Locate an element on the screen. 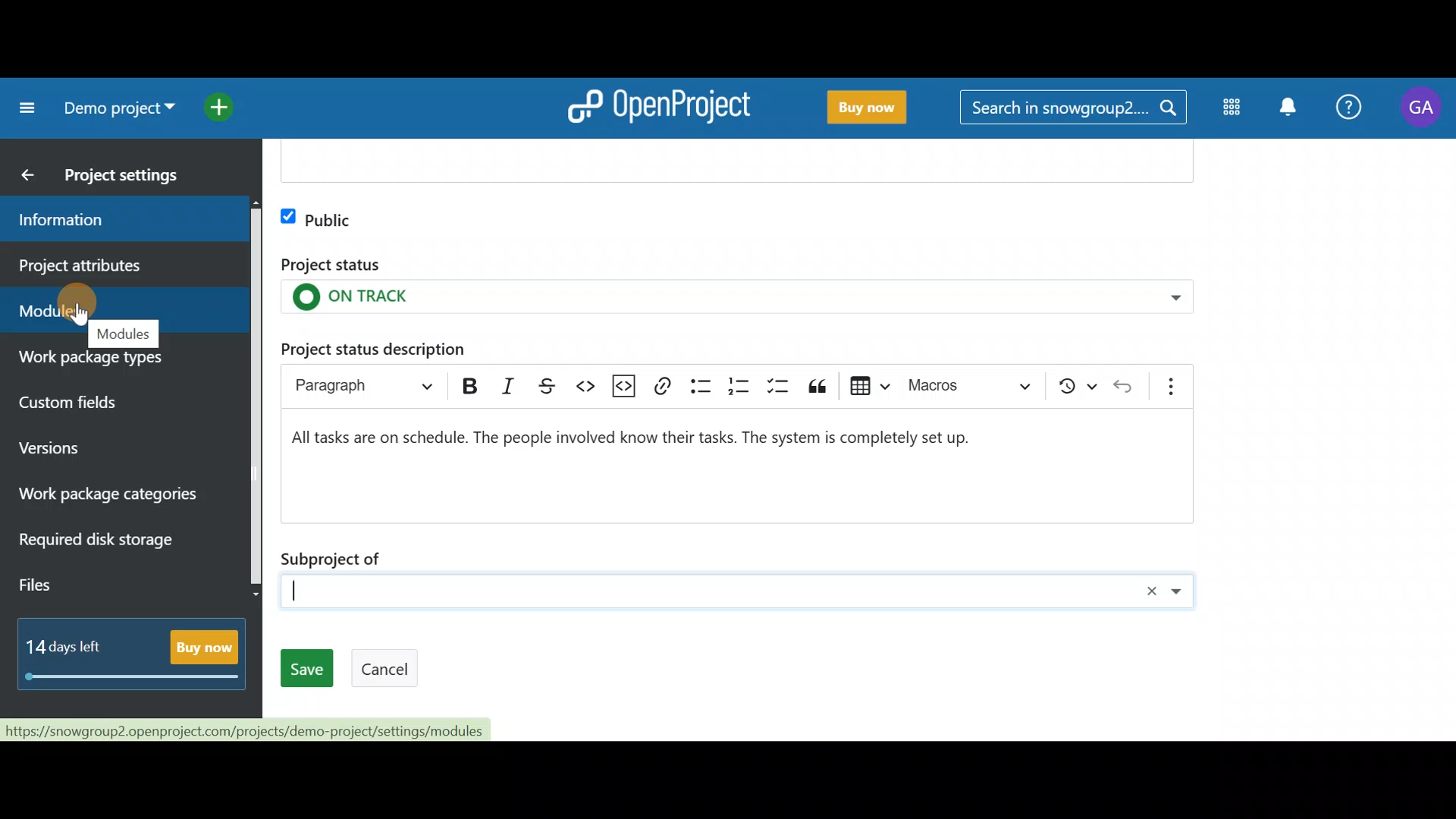 This screenshot has height=819, width=1456. Account name is located at coordinates (1419, 111).